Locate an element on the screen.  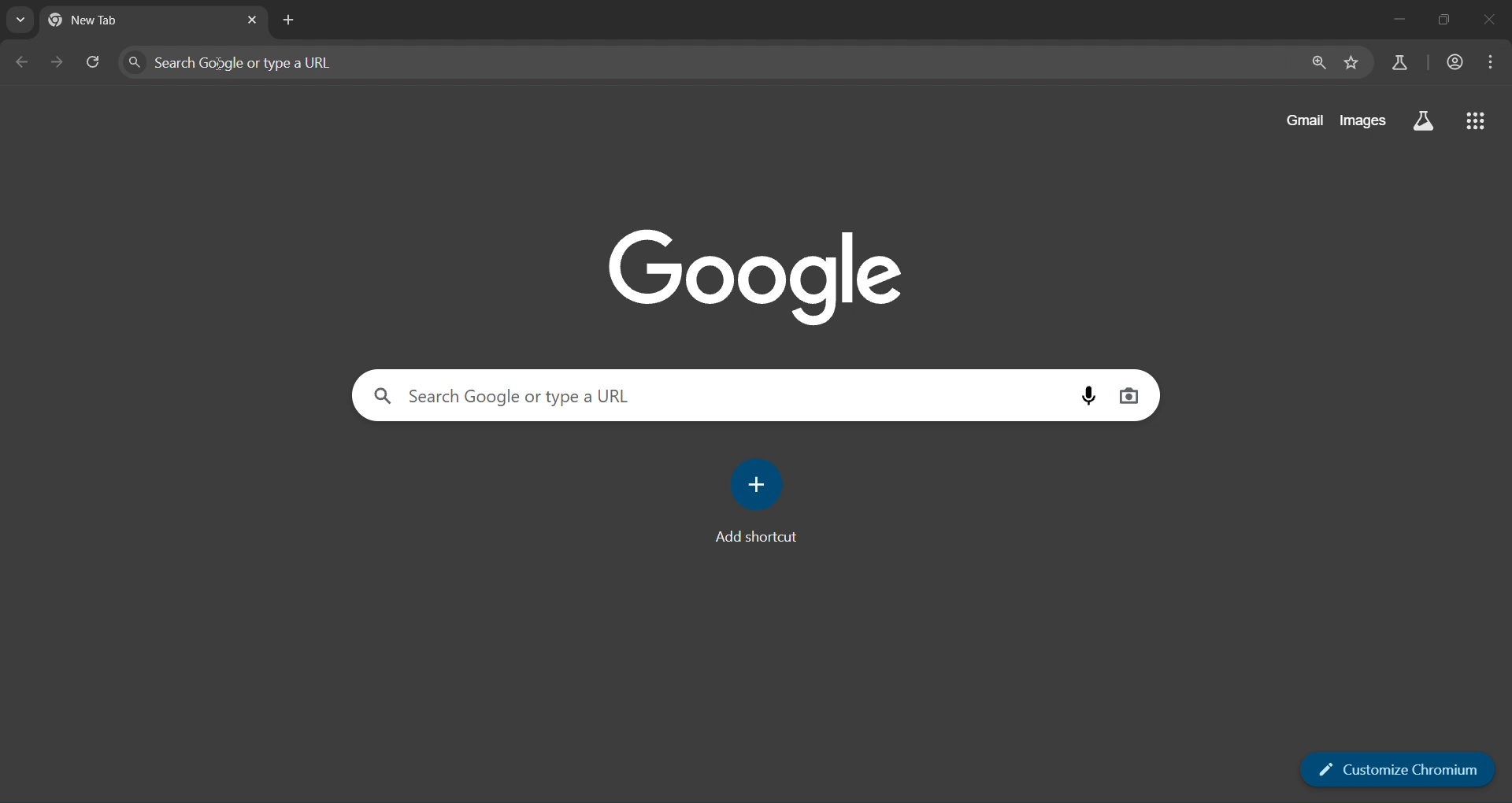
go back one page is located at coordinates (24, 61).